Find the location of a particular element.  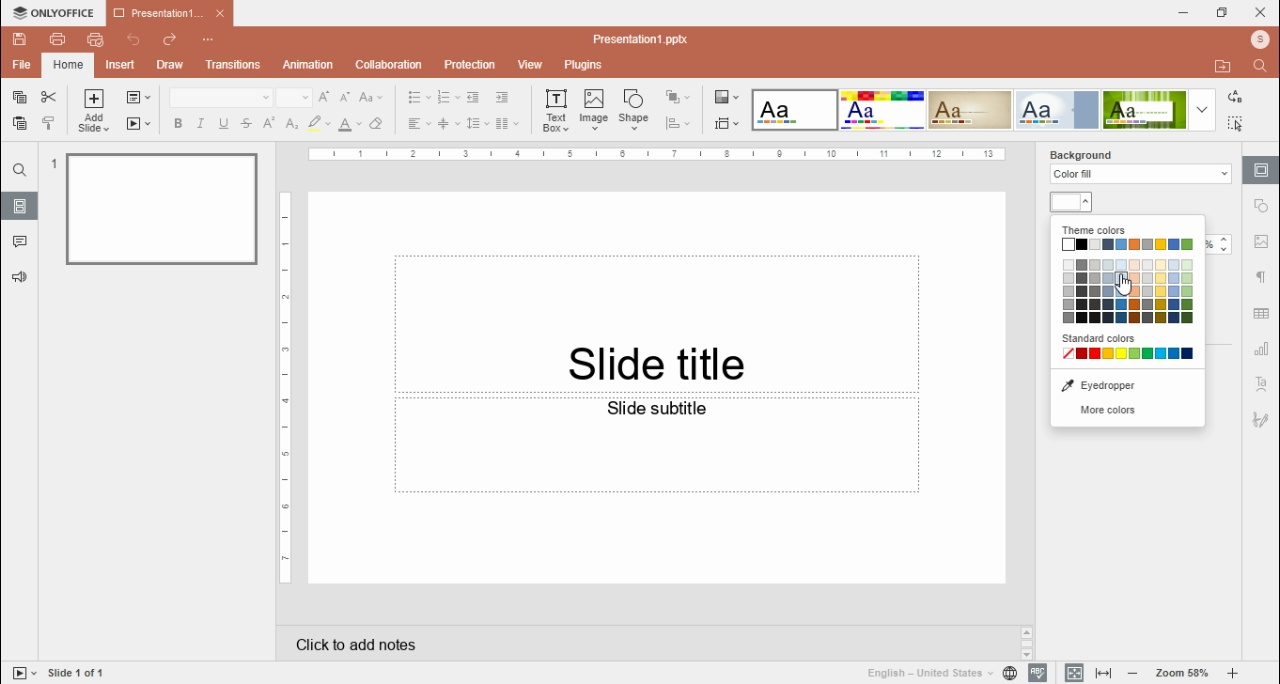

print file is located at coordinates (58, 39).